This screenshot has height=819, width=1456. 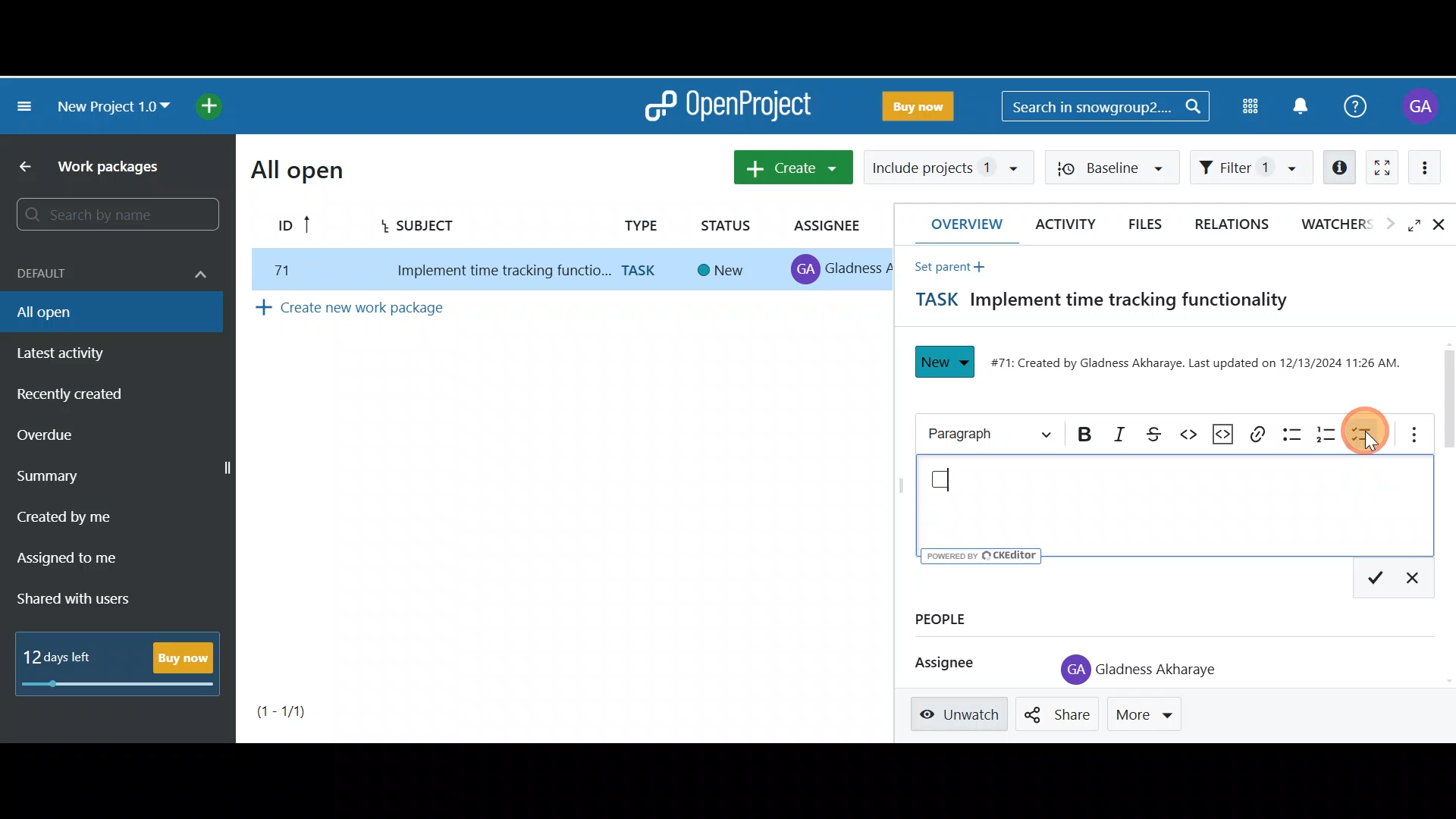 What do you see at coordinates (390, 311) in the screenshot?
I see `Create new work package` at bounding box center [390, 311].